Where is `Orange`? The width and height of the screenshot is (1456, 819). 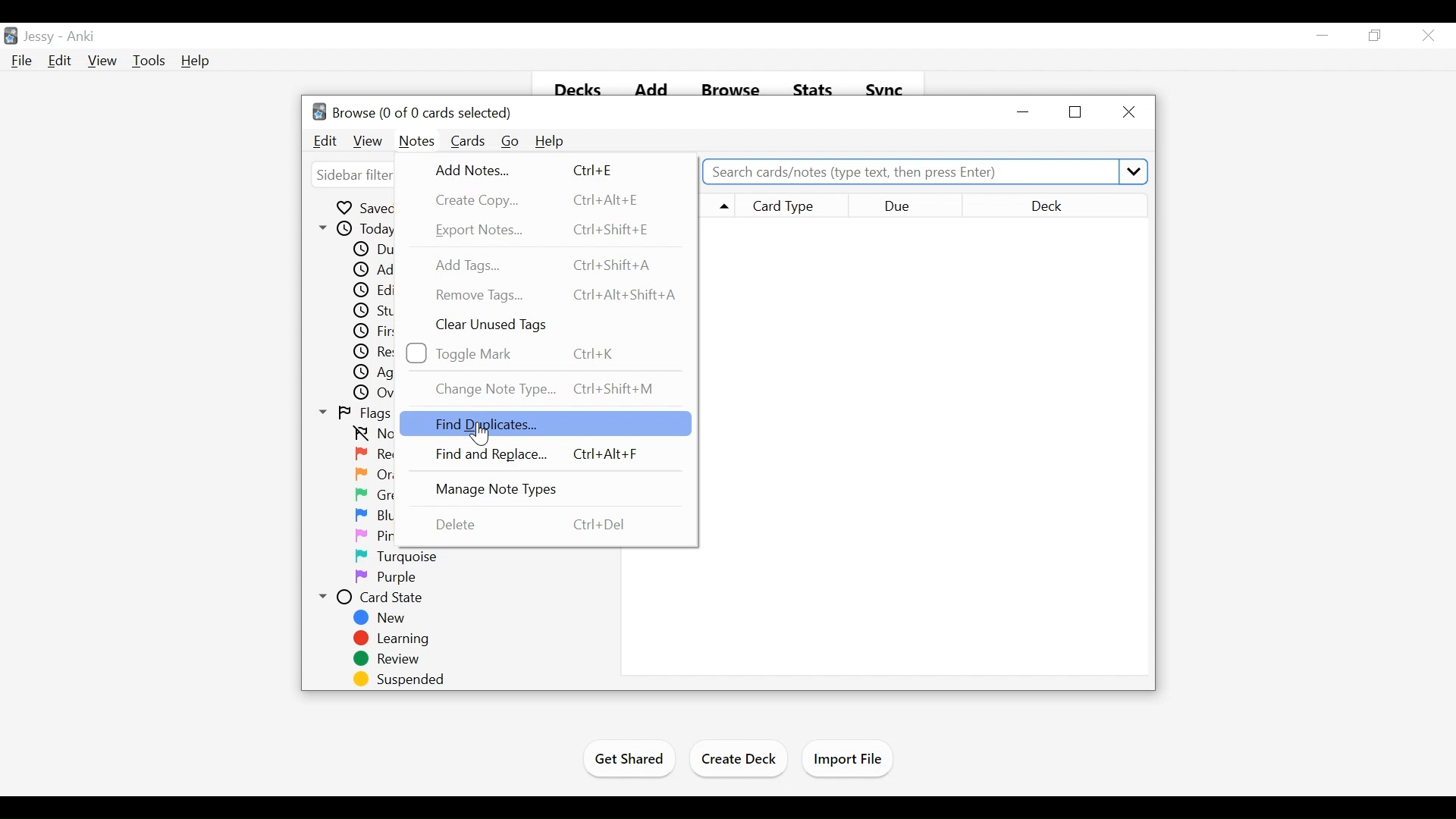
Orange is located at coordinates (385, 474).